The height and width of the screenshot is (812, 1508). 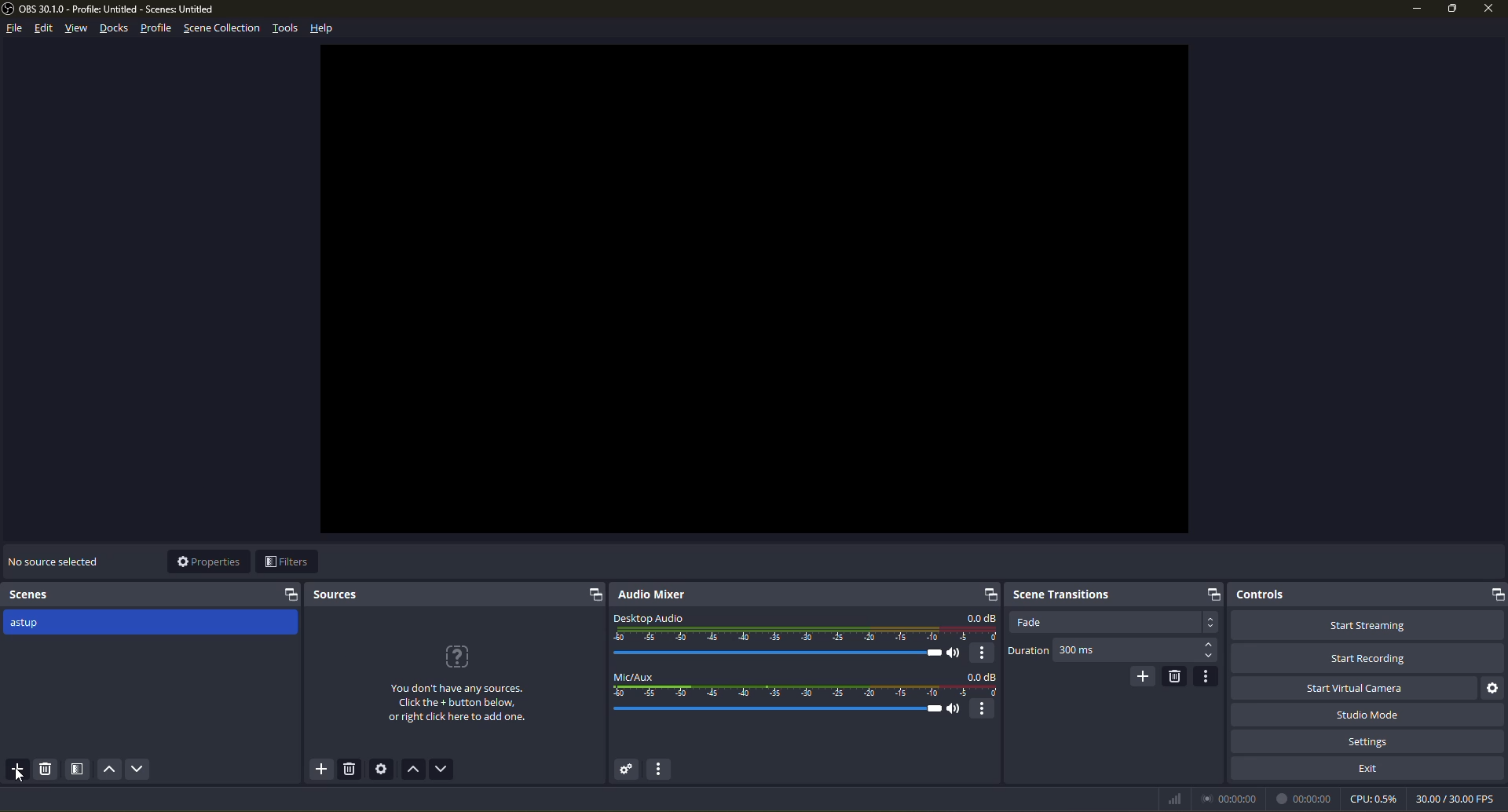 What do you see at coordinates (21, 776) in the screenshot?
I see `Cursor` at bounding box center [21, 776].